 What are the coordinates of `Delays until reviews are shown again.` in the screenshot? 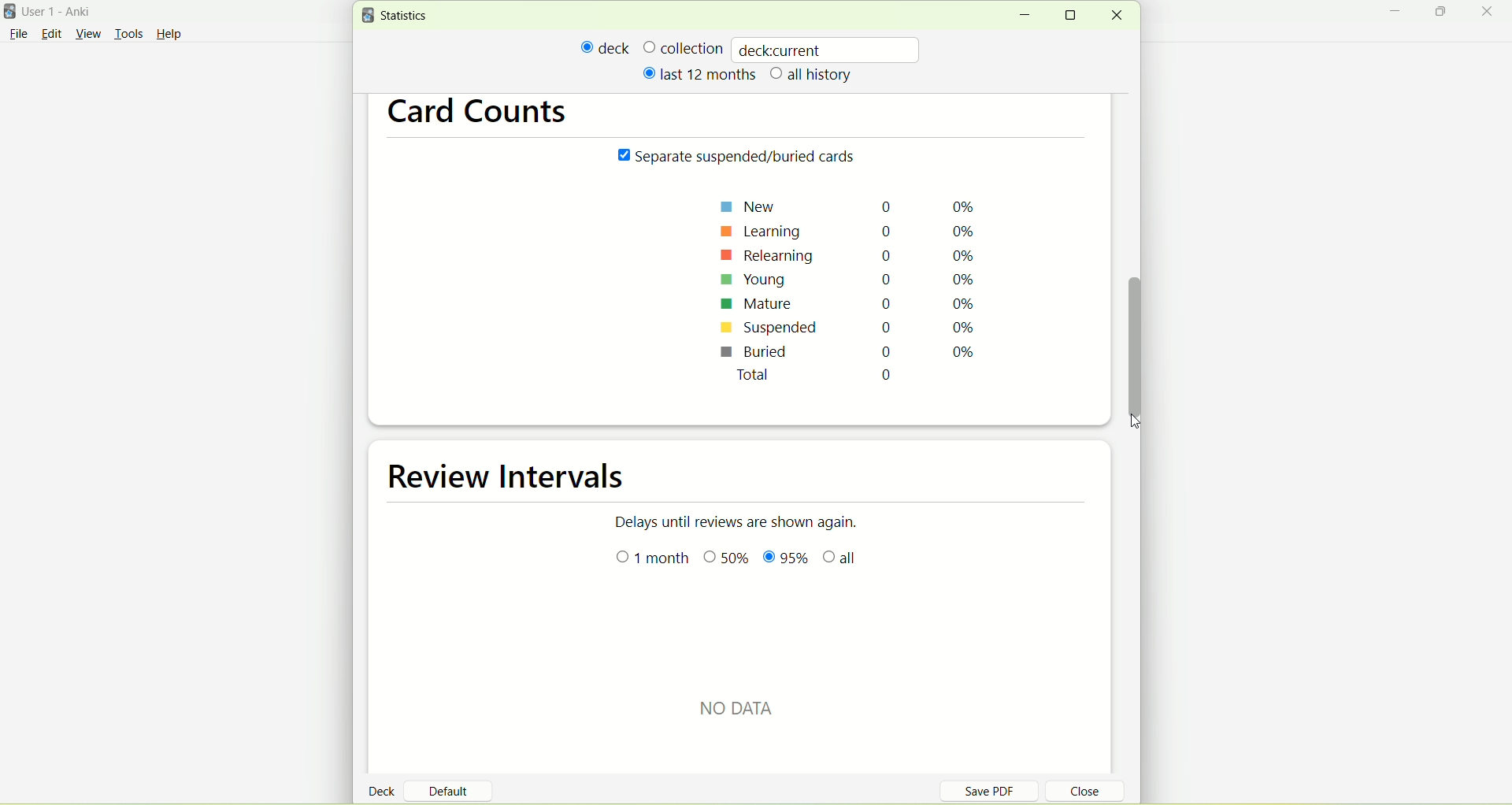 It's located at (746, 521).